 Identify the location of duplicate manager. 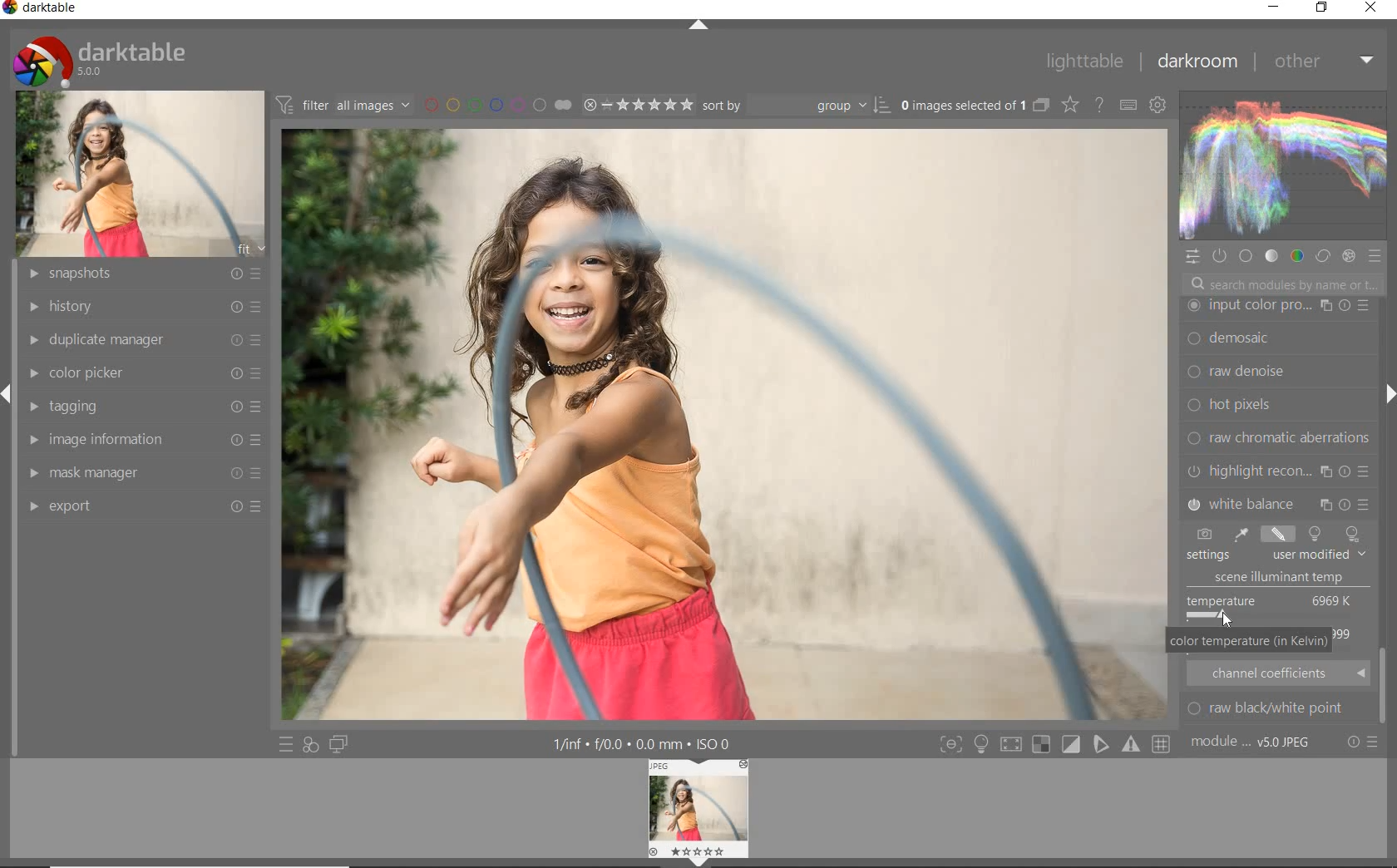
(141, 338).